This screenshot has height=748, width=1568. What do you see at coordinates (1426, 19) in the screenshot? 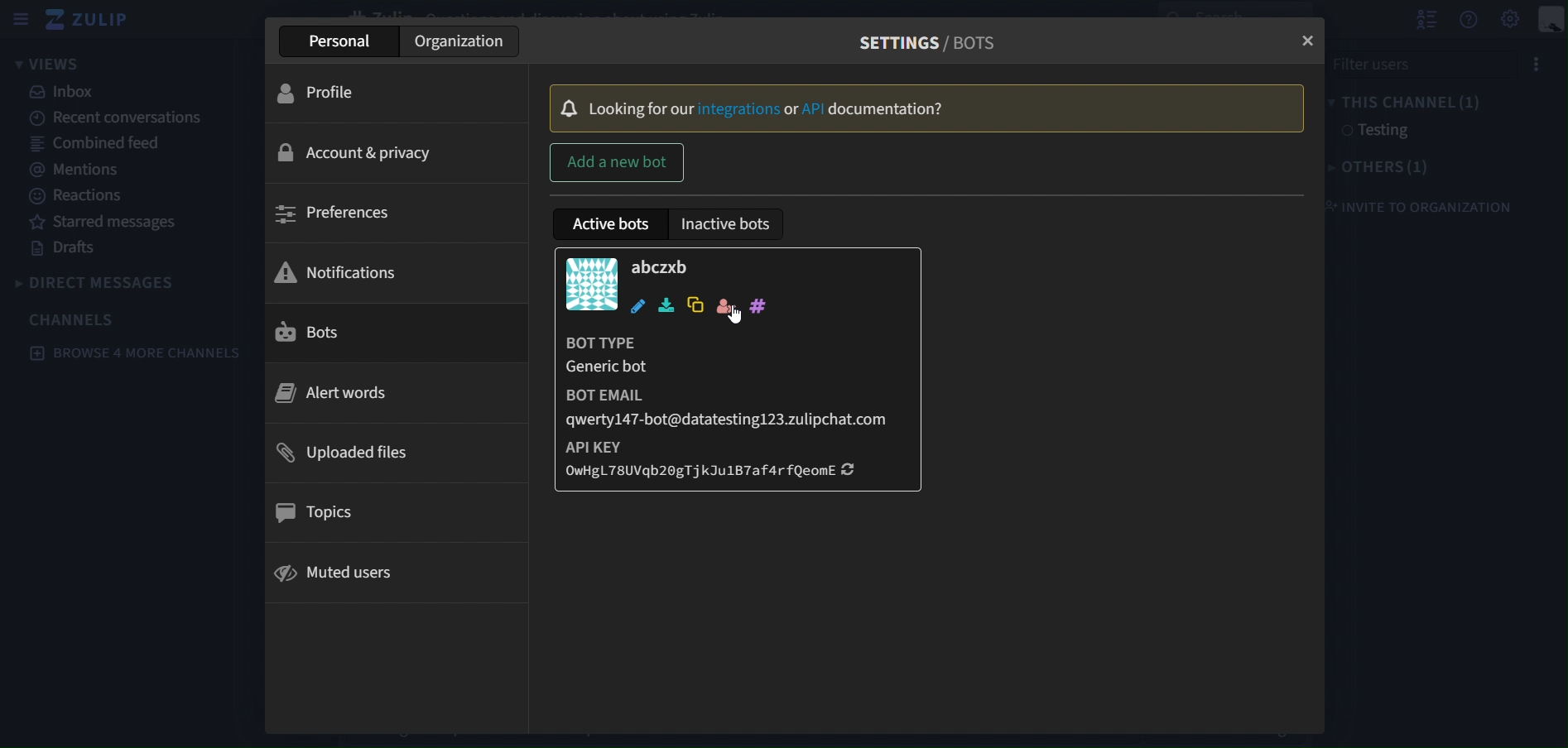
I see `hide user list` at bounding box center [1426, 19].